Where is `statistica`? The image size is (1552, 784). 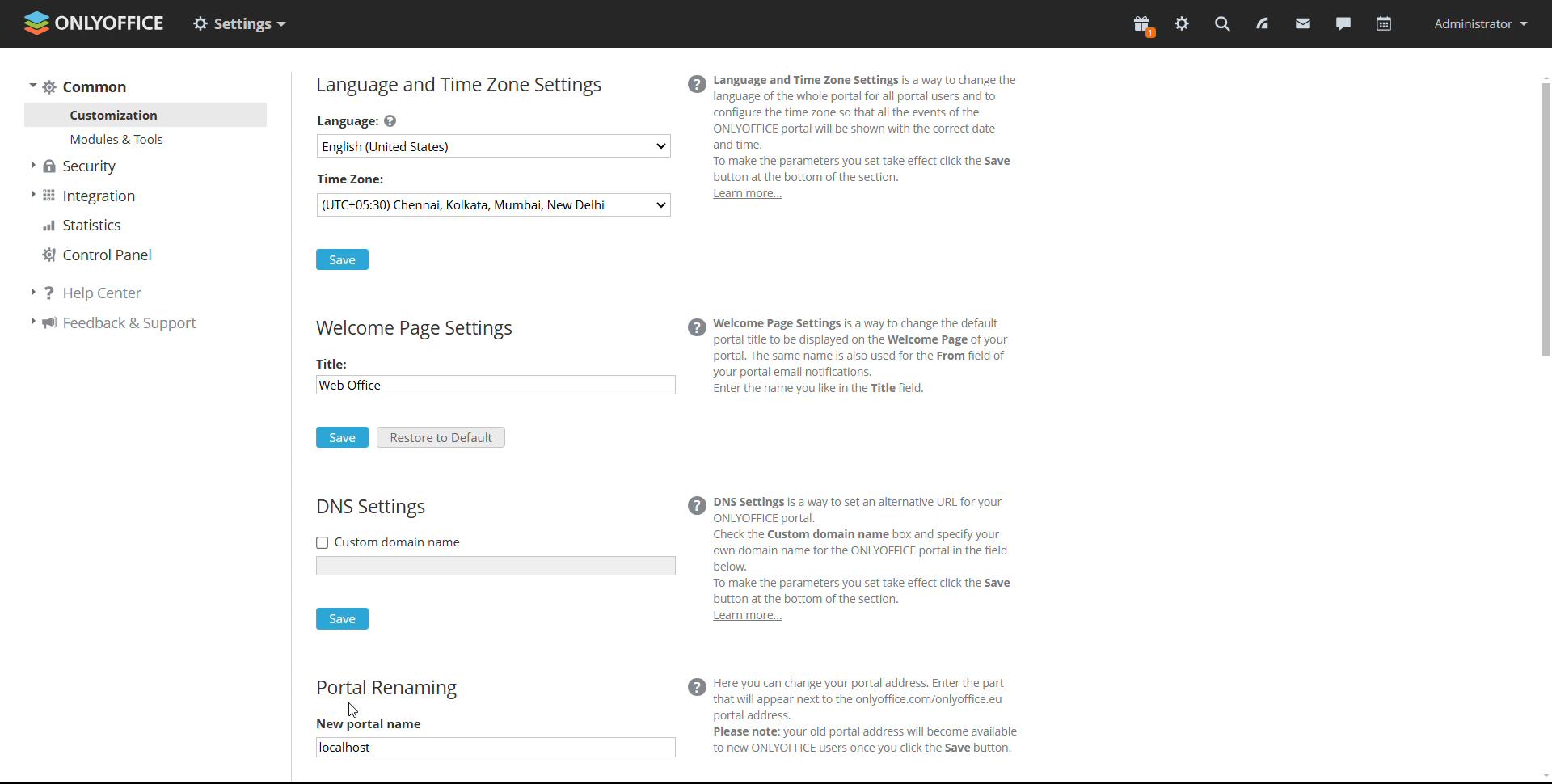
statistica is located at coordinates (84, 226).